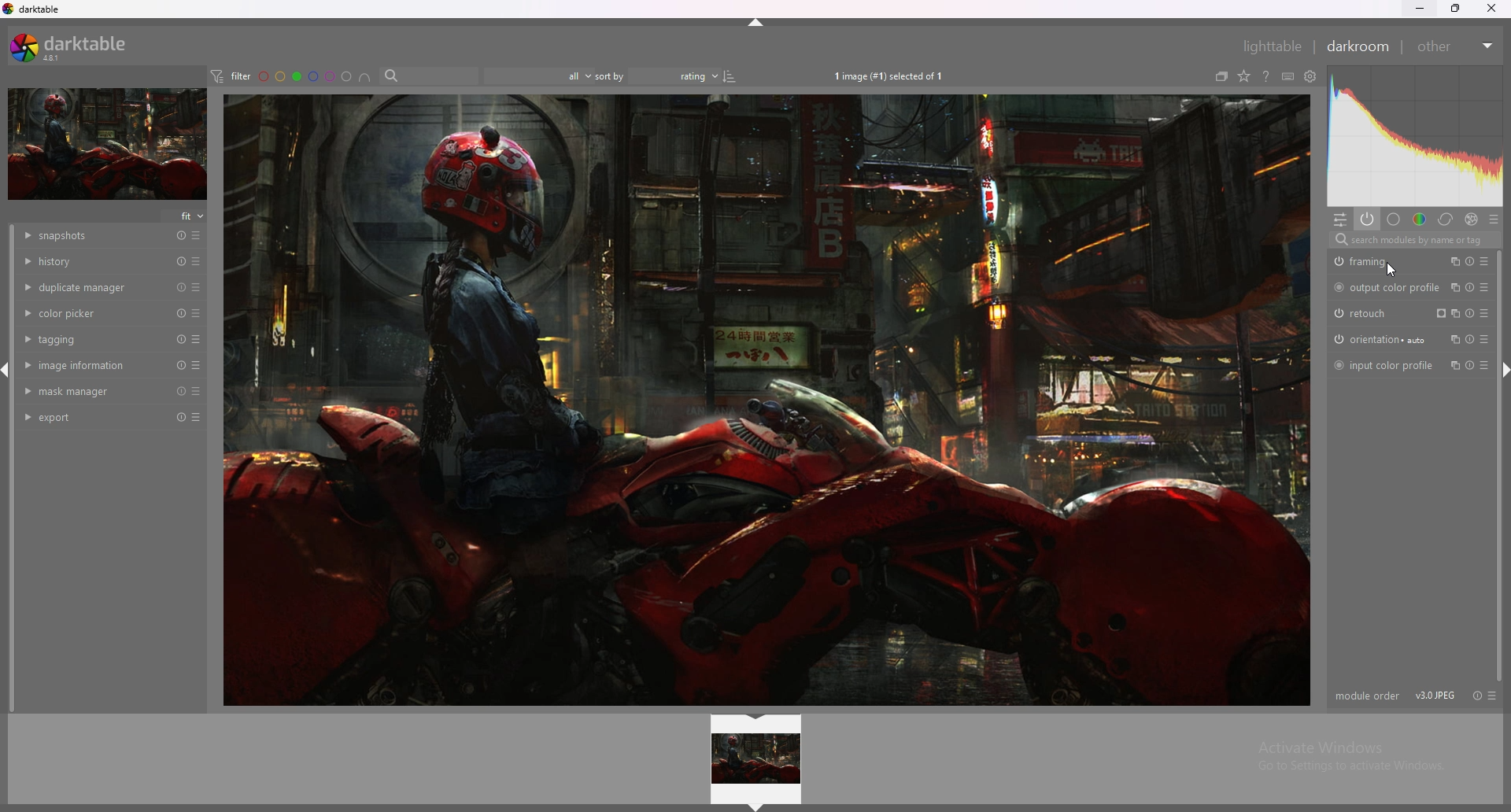  What do you see at coordinates (1470, 264) in the screenshot?
I see `reset` at bounding box center [1470, 264].